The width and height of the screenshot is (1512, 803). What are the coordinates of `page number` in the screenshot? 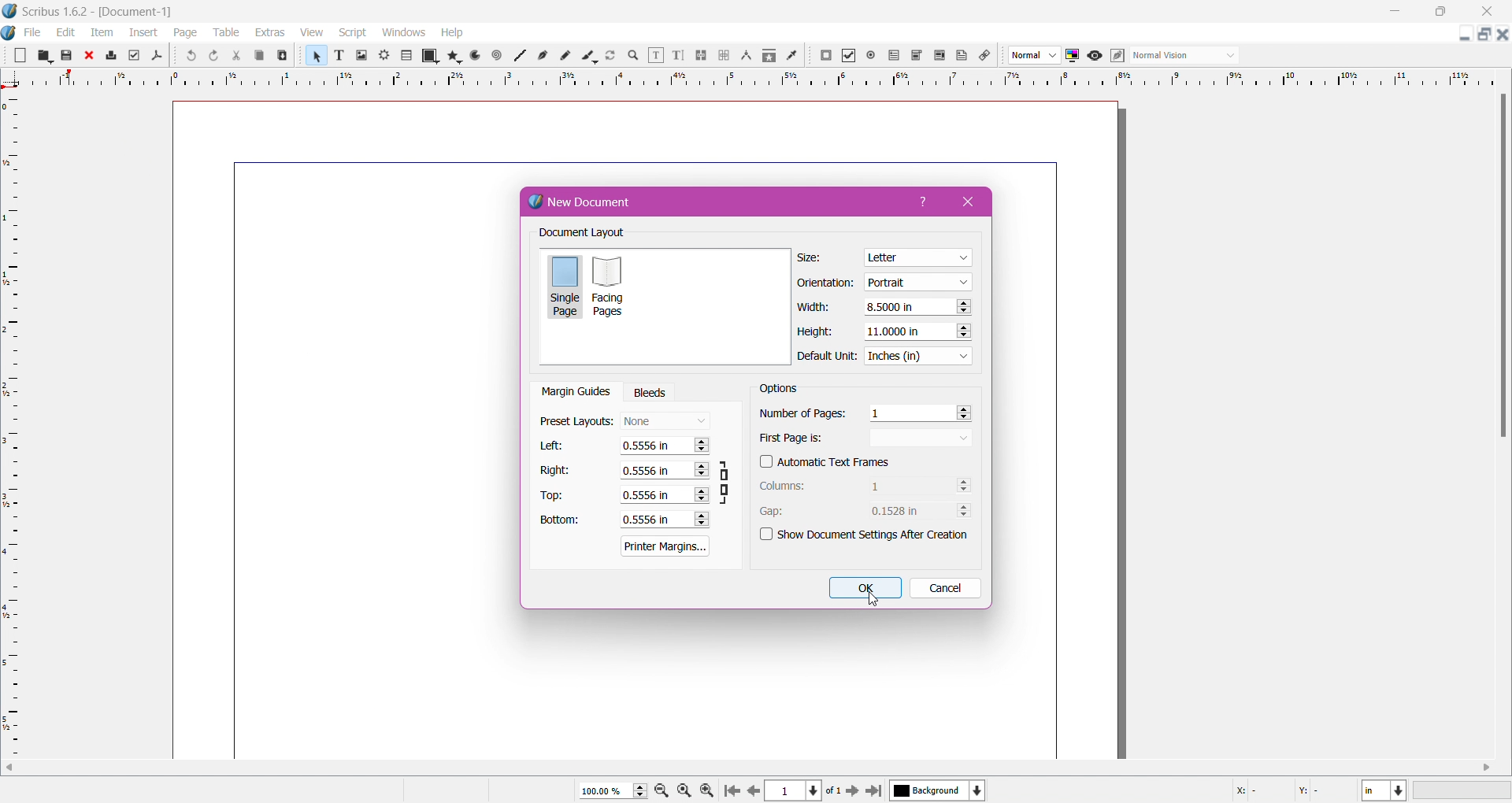 It's located at (801, 792).